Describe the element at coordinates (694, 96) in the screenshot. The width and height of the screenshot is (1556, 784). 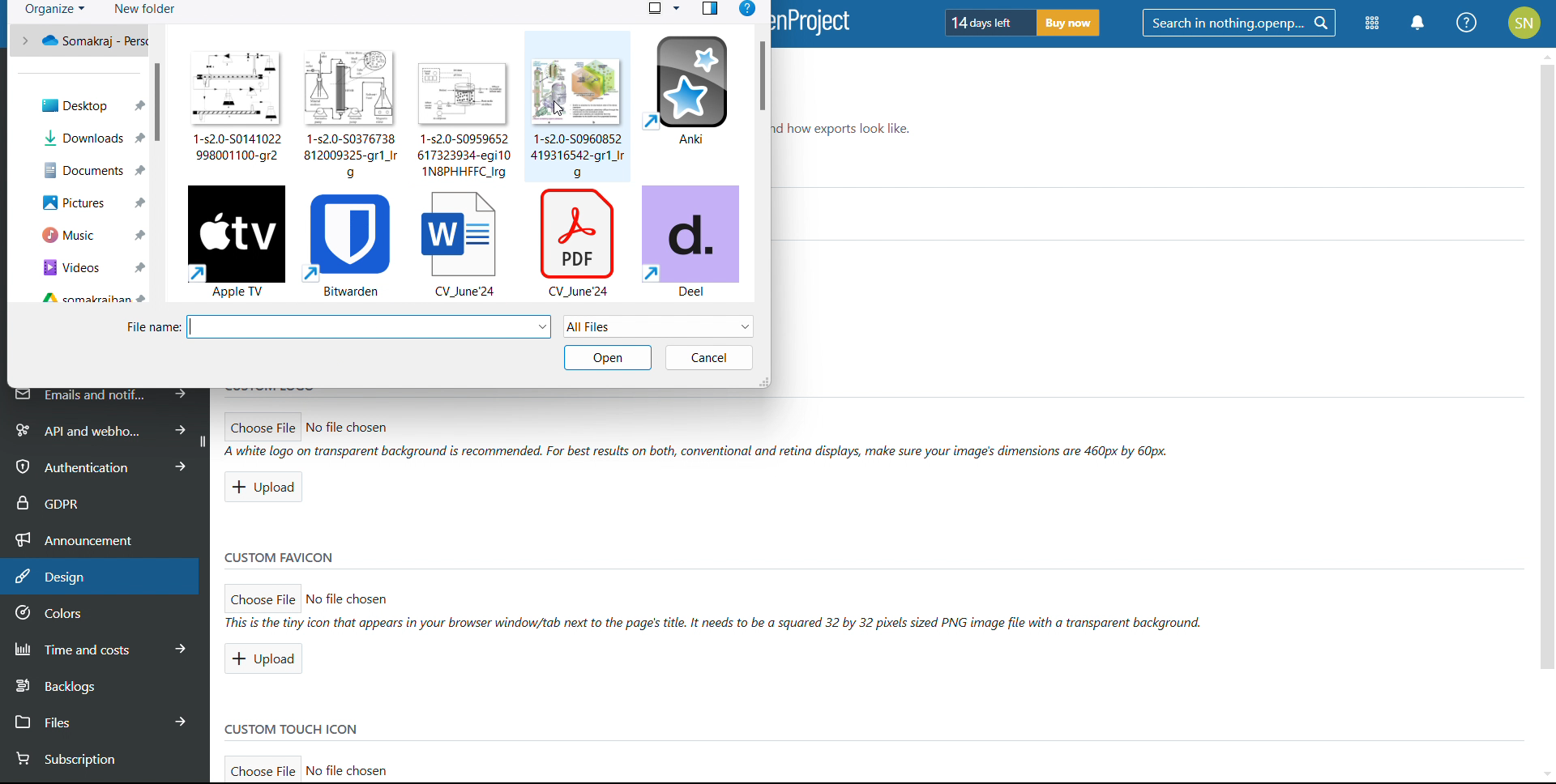
I see `file in folder` at that location.